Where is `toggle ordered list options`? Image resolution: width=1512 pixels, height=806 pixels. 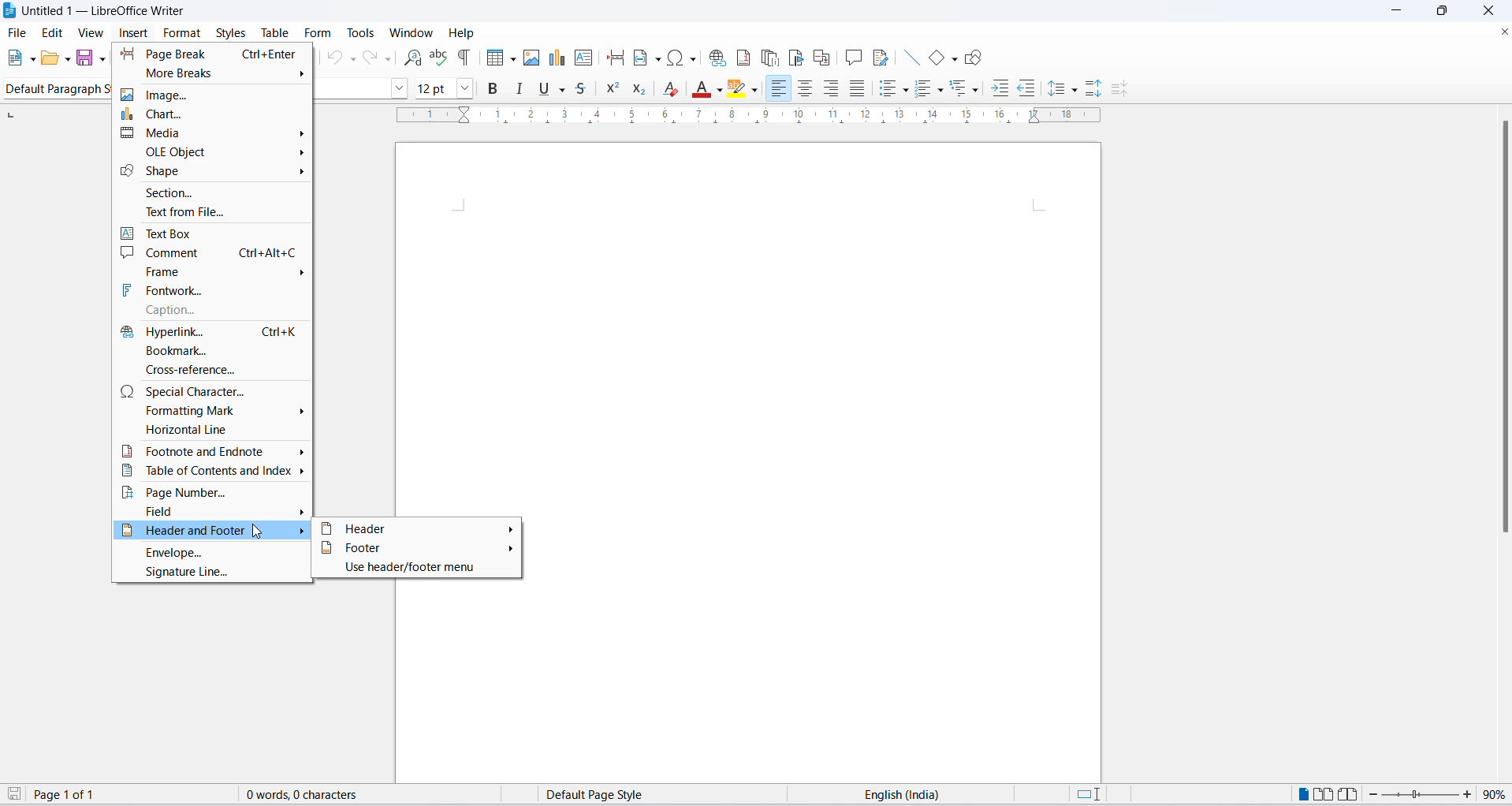 toggle ordered list options is located at coordinates (923, 90).